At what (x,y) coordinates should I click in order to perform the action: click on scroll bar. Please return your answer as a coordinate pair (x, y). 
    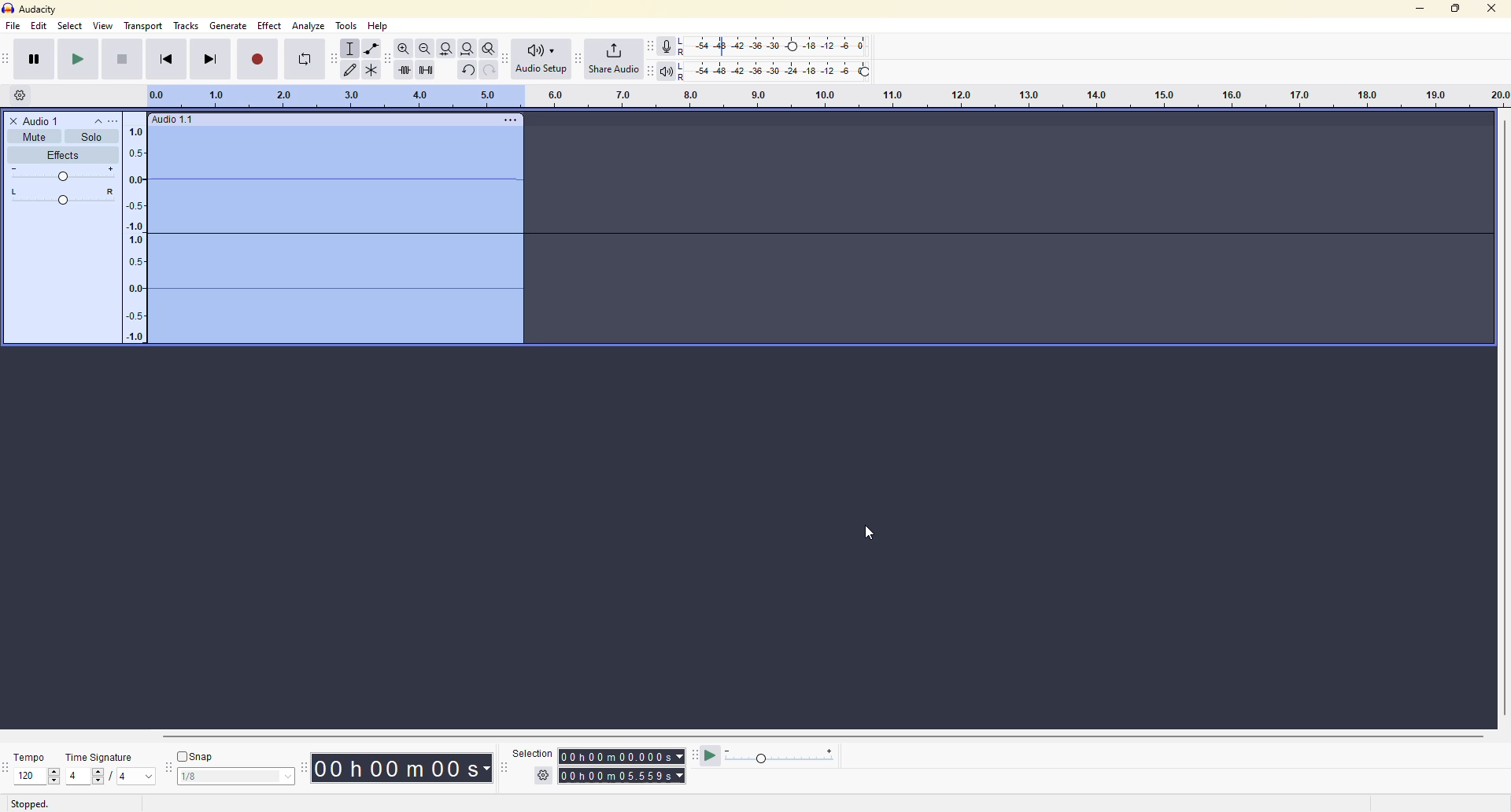
    Looking at the image, I should click on (1501, 419).